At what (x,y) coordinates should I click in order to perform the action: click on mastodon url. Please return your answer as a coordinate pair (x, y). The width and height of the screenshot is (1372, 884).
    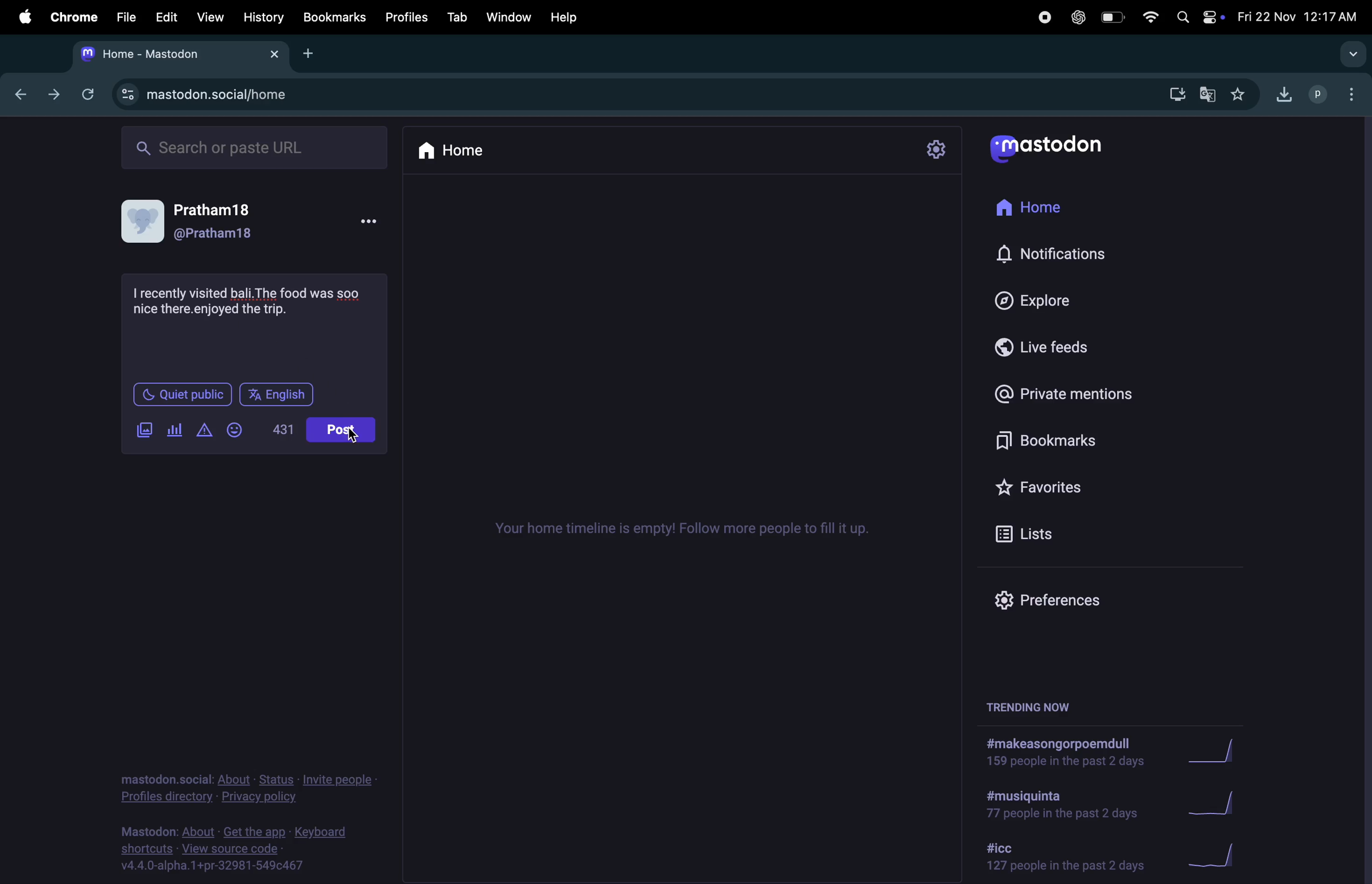
    Looking at the image, I should click on (234, 94).